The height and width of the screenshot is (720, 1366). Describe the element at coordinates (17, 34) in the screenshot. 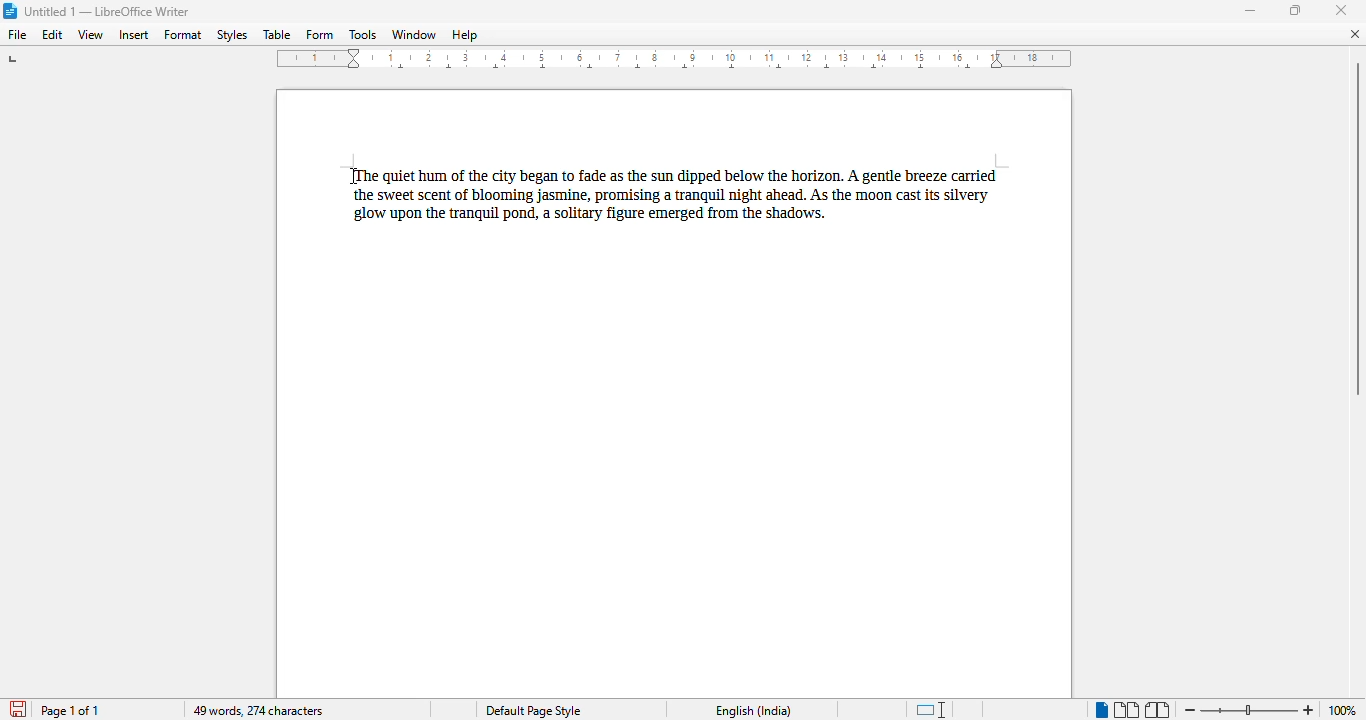

I see `file` at that location.